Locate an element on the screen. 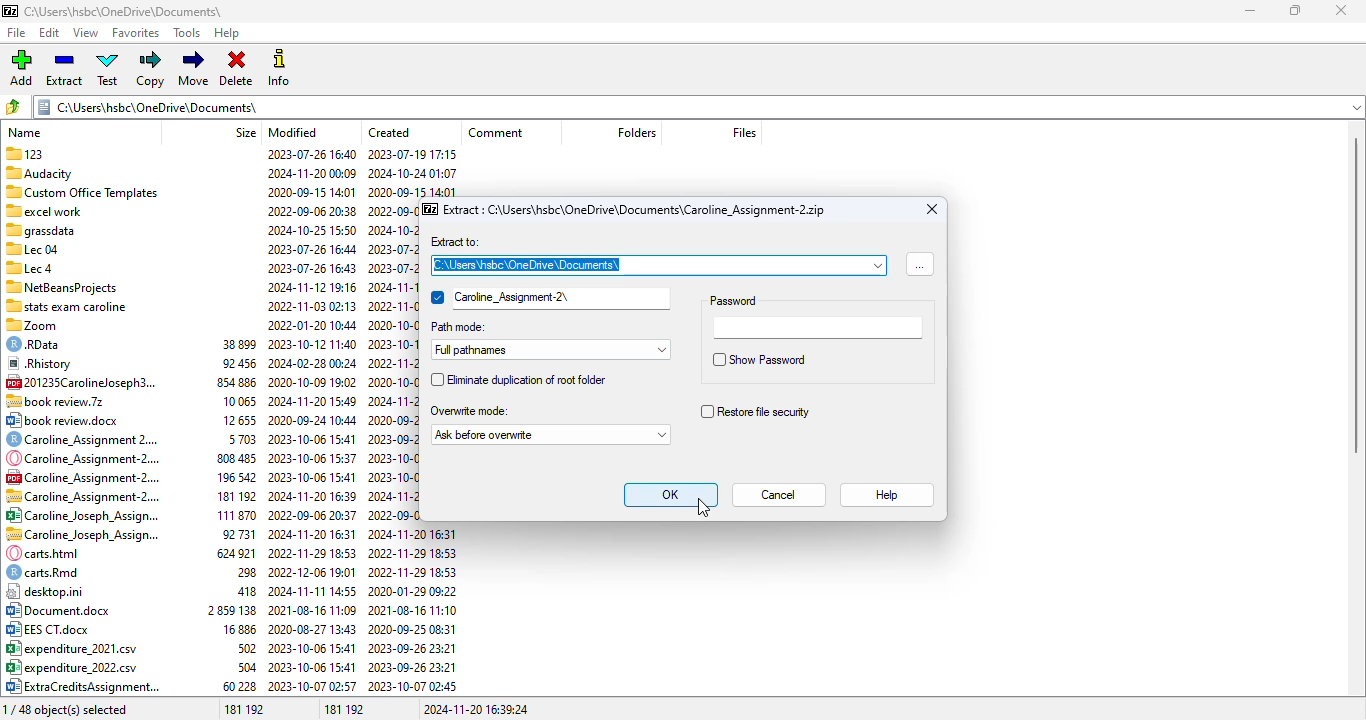 The height and width of the screenshot is (720, 1366). 2024-11-20 16:39:24 is located at coordinates (476, 709).